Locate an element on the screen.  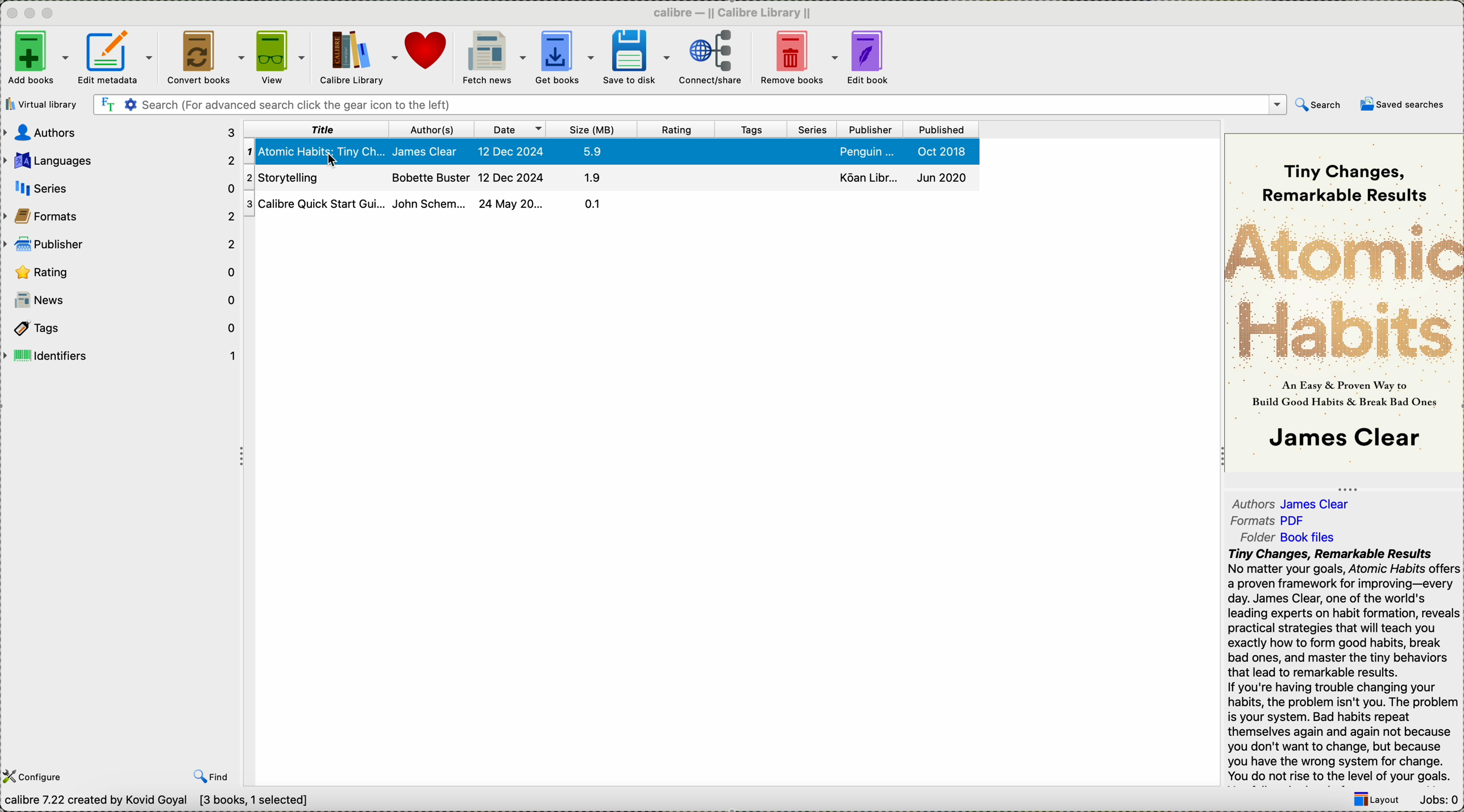
date is located at coordinates (510, 130).